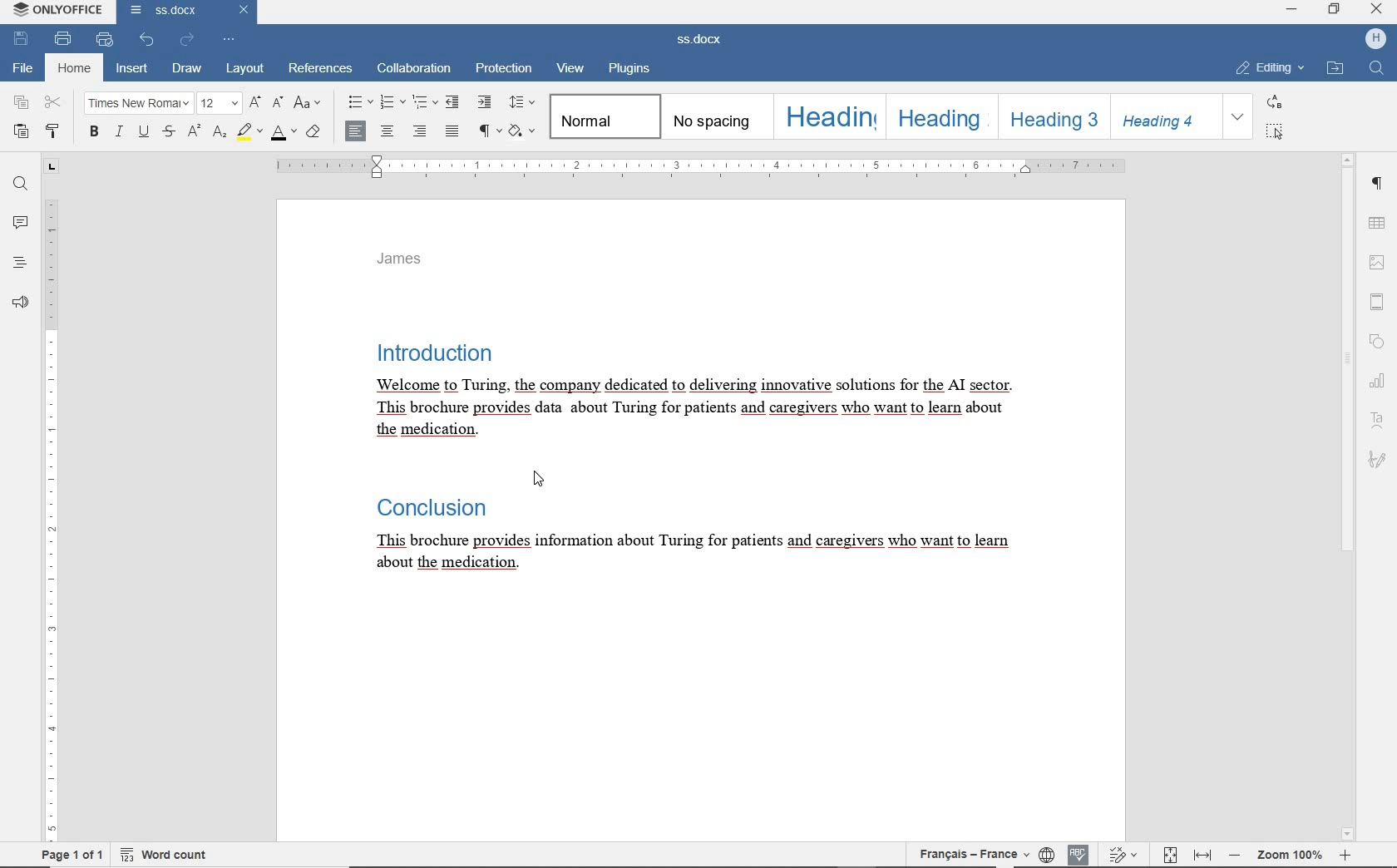  What do you see at coordinates (1049, 117) in the screenshot?
I see `HEADING 3` at bounding box center [1049, 117].